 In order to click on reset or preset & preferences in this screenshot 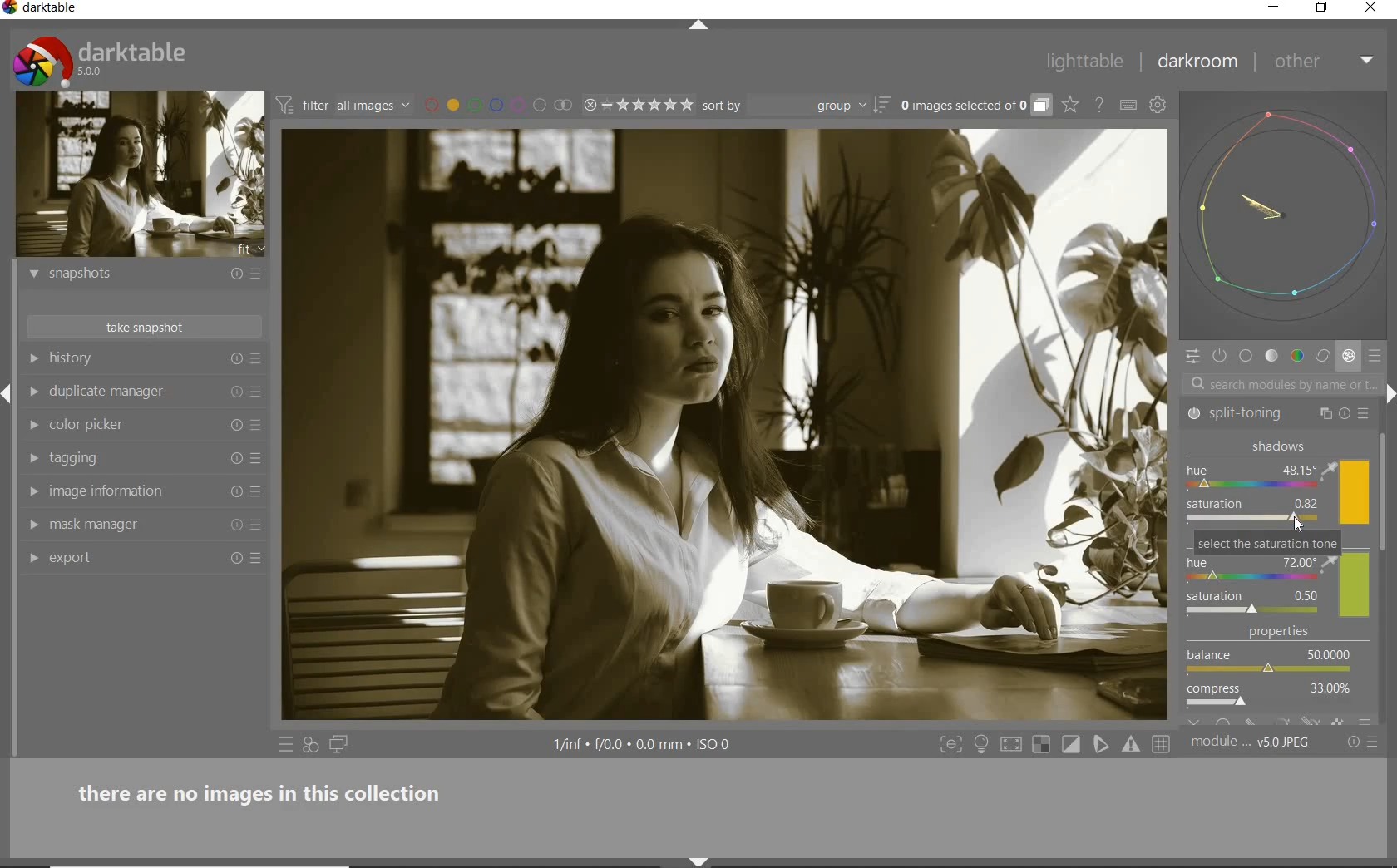, I will do `click(1365, 742)`.